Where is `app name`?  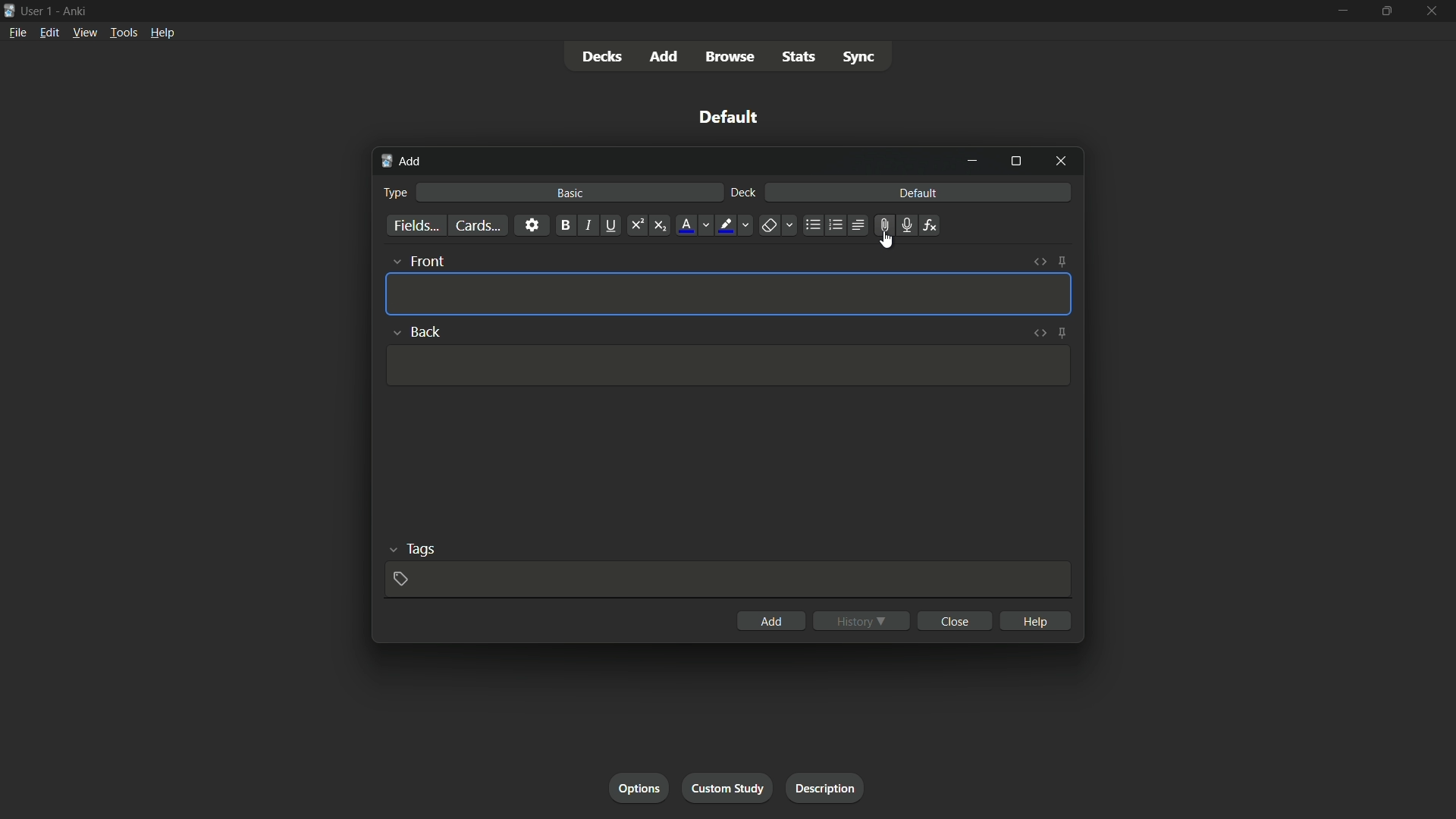
app name is located at coordinates (77, 9).